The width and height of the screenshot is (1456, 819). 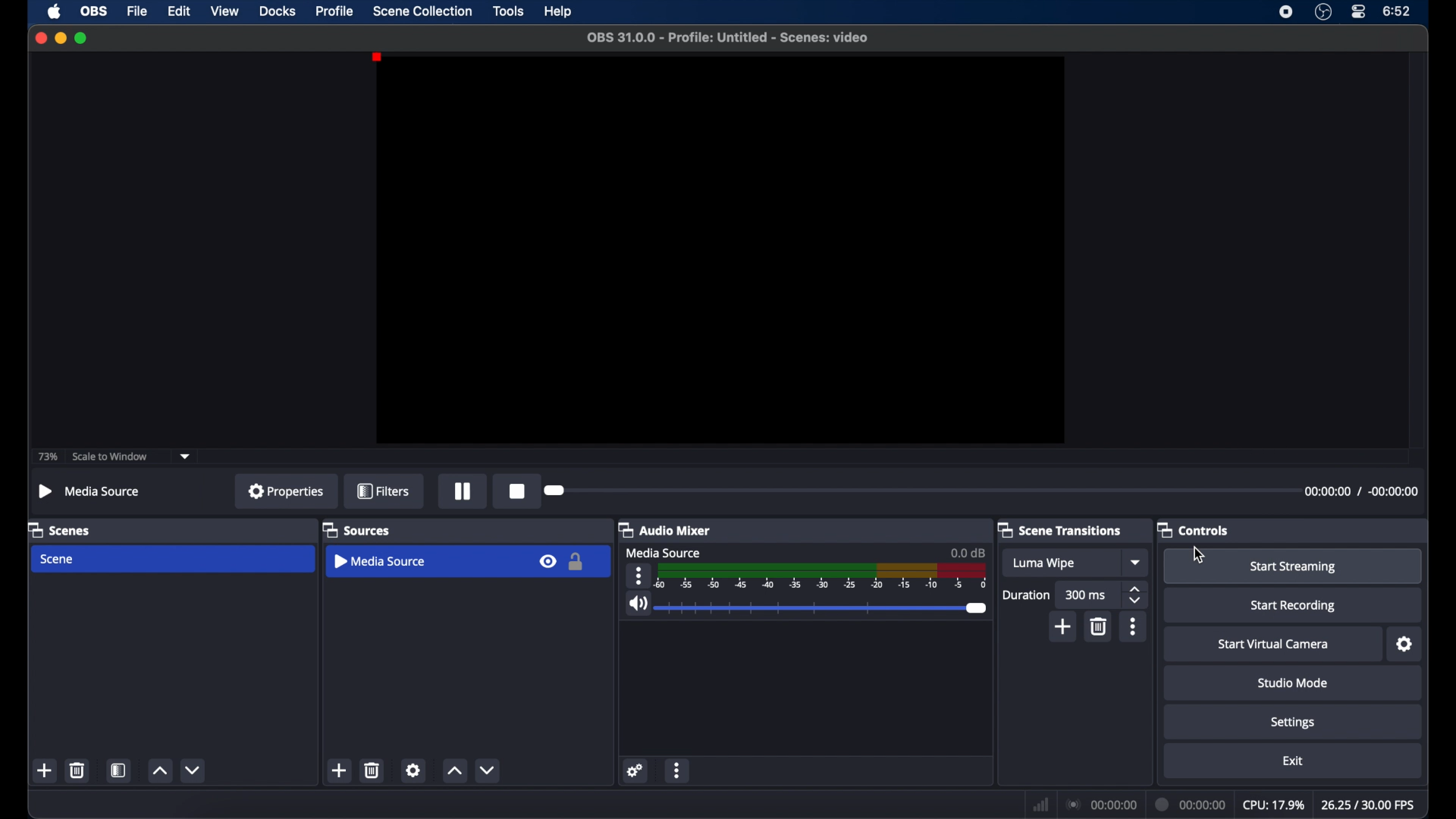 What do you see at coordinates (729, 37) in the screenshot?
I see `filename` at bounding box center [729, 37].